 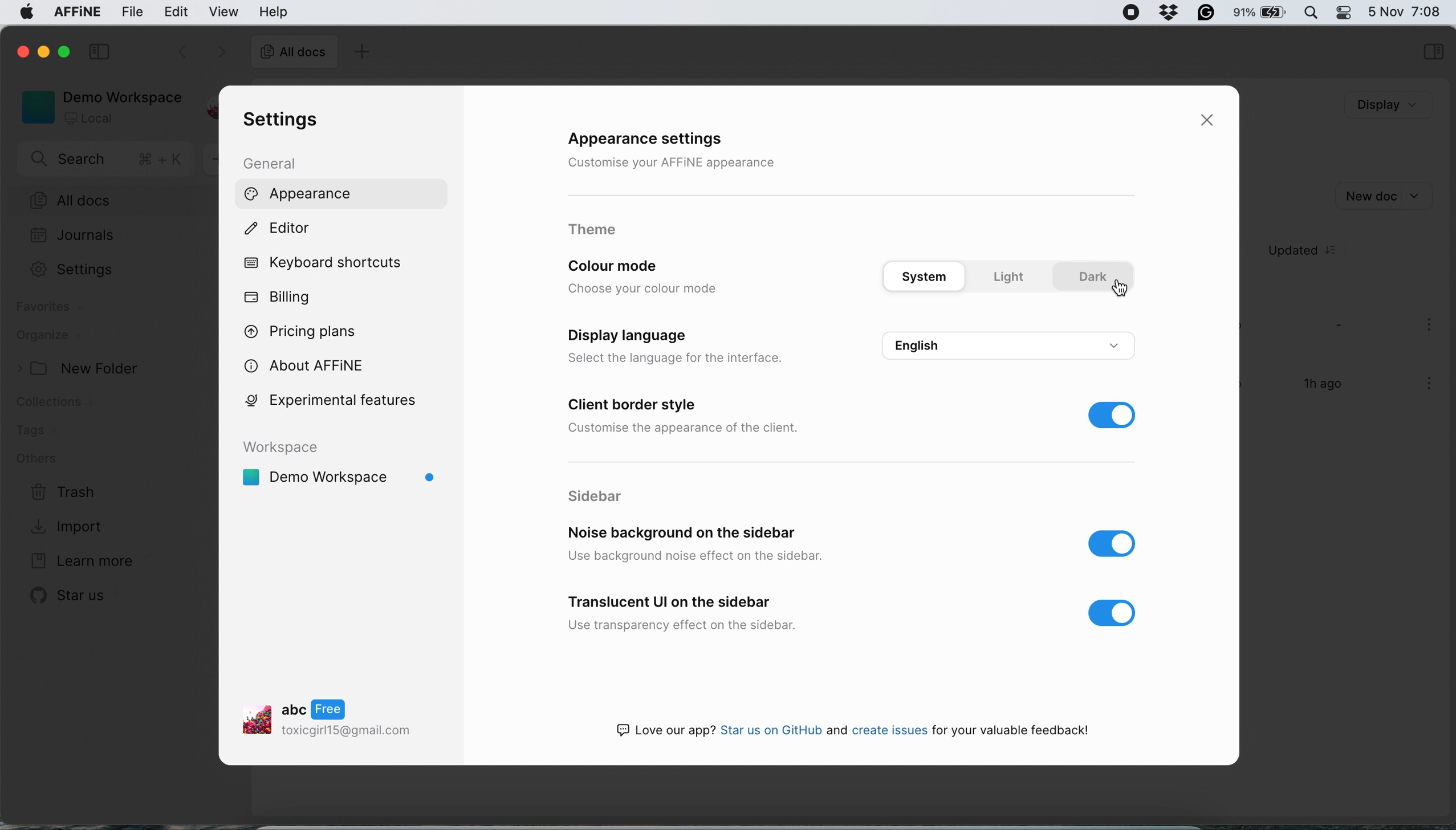 I want to click on minimise, so click(x=40, y=51).